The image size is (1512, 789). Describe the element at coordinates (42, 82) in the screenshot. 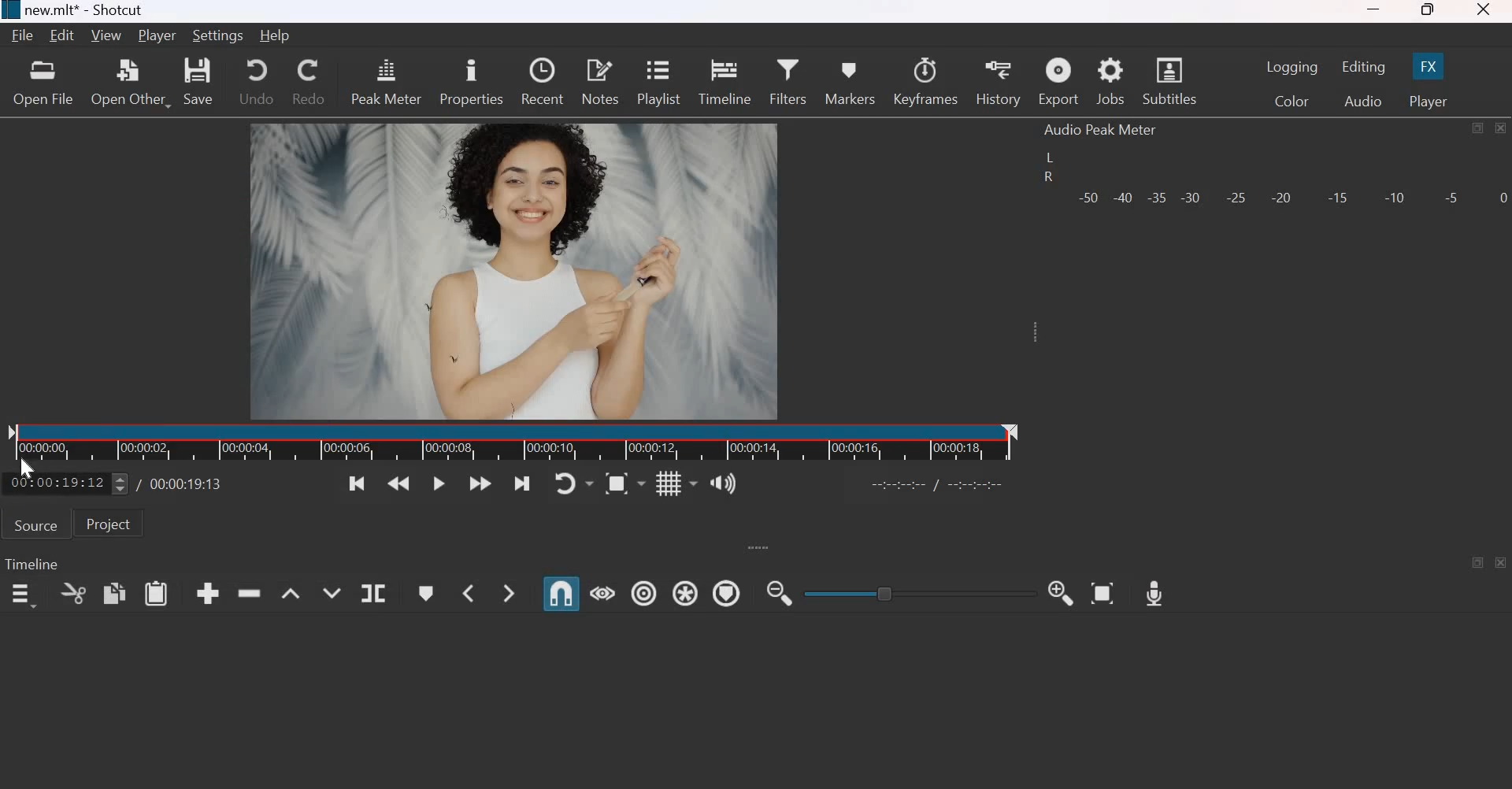

I see `open file` at that location.